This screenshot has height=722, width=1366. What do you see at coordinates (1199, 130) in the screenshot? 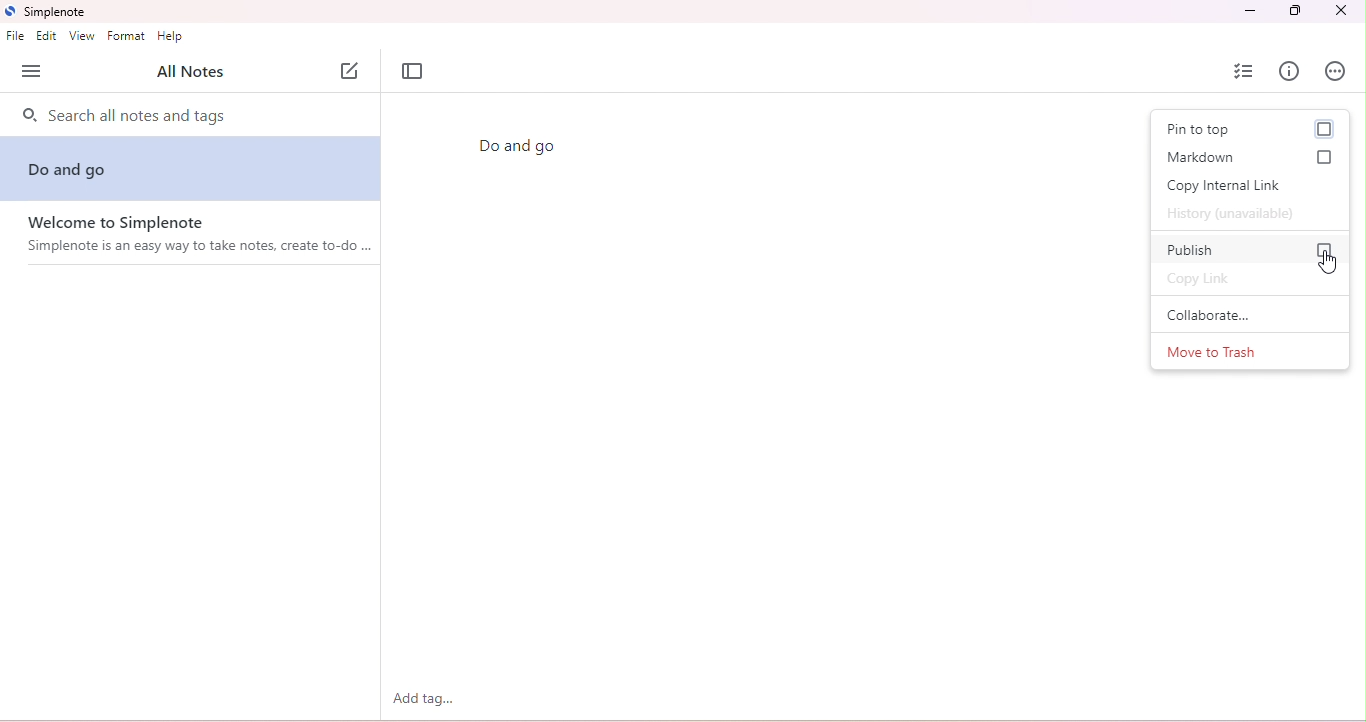
I see `pin to top` at bounding box center [1199, 130].